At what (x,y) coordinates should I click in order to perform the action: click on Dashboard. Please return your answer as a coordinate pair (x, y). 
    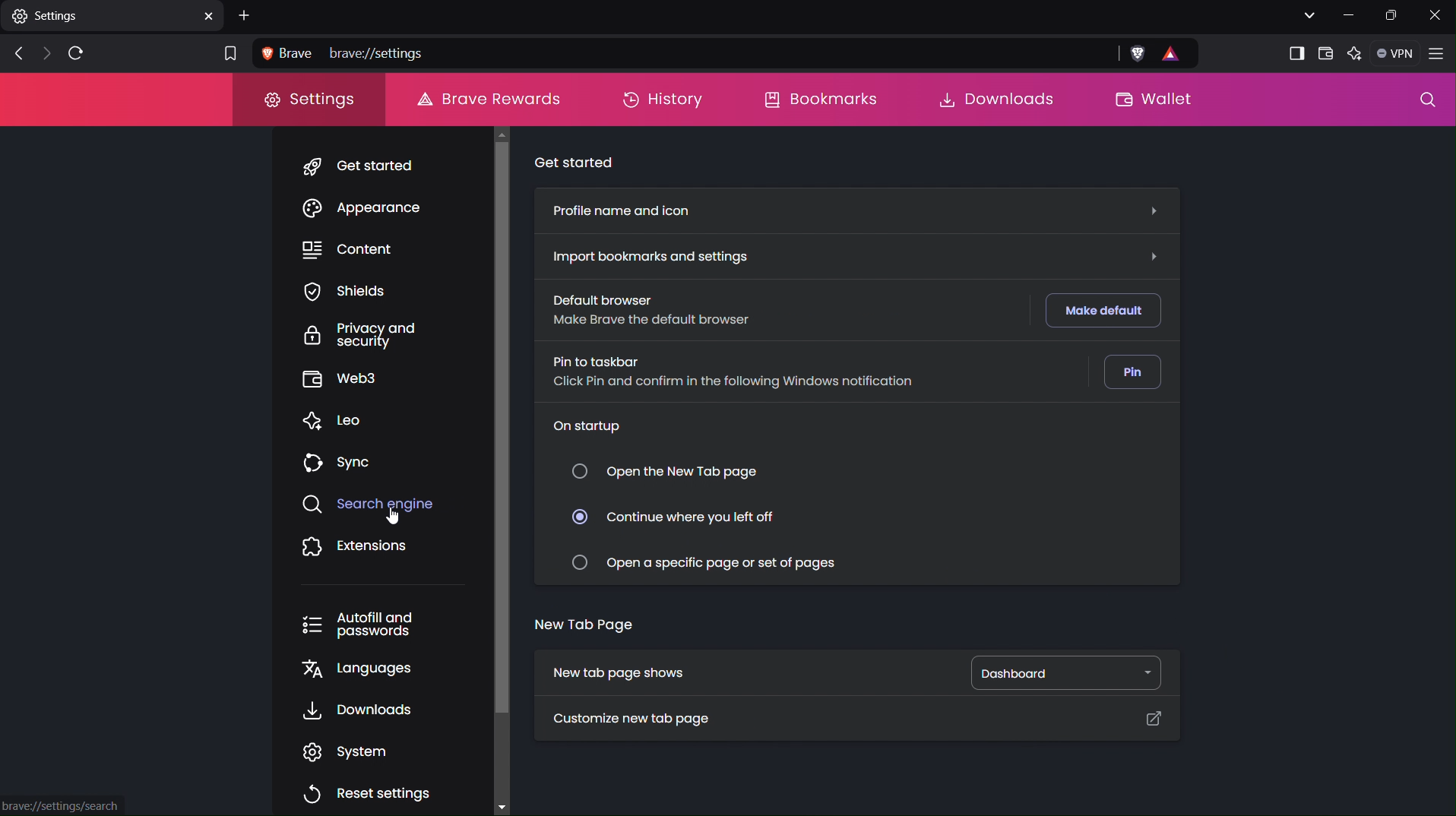
    Looking at the image, I should click on (1071, 672).